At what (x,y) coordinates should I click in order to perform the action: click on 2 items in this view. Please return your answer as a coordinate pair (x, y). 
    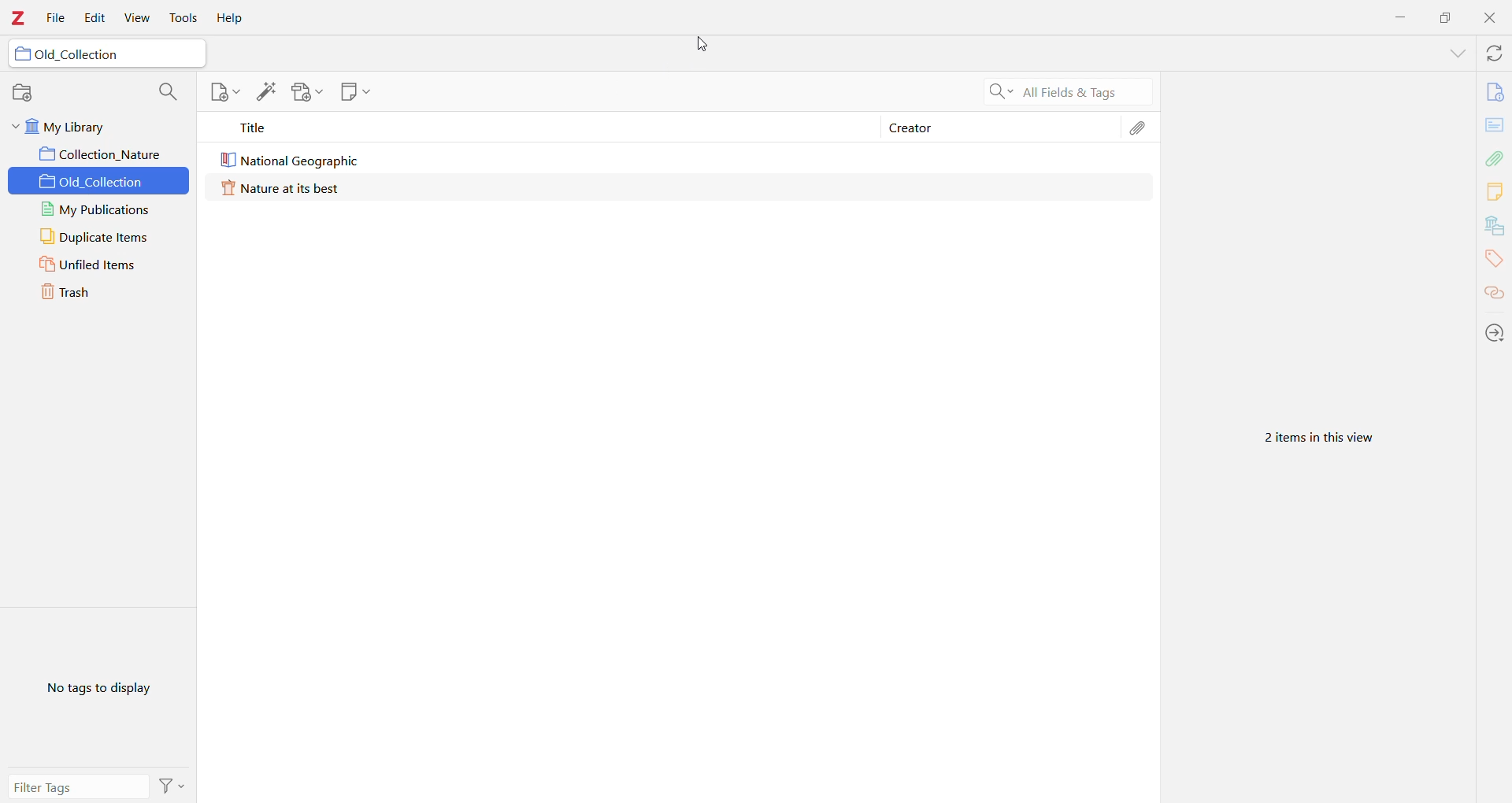
    Looking at the image, I should click on (1327, 439).